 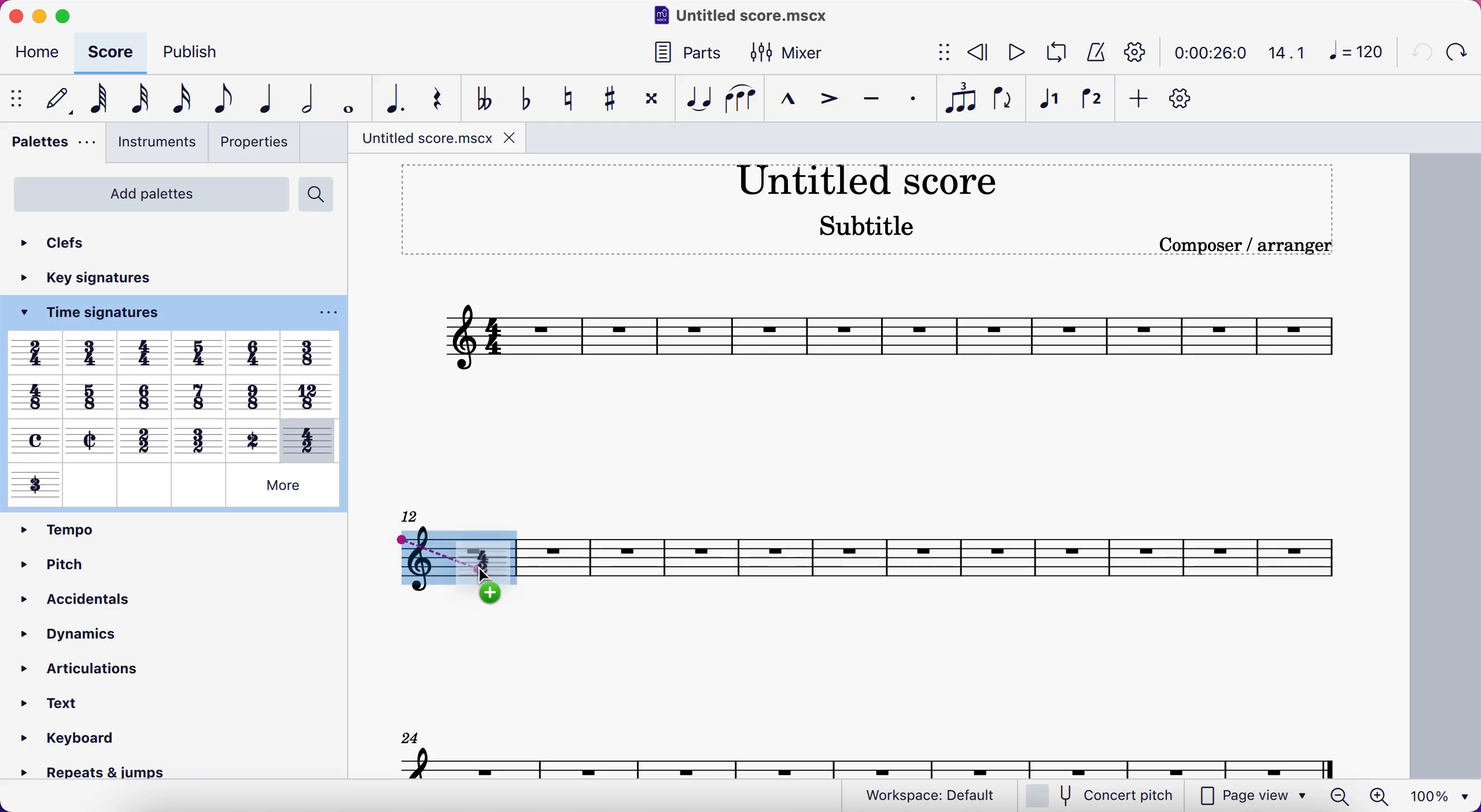 I want to click on score, so click(x=878, y=337).